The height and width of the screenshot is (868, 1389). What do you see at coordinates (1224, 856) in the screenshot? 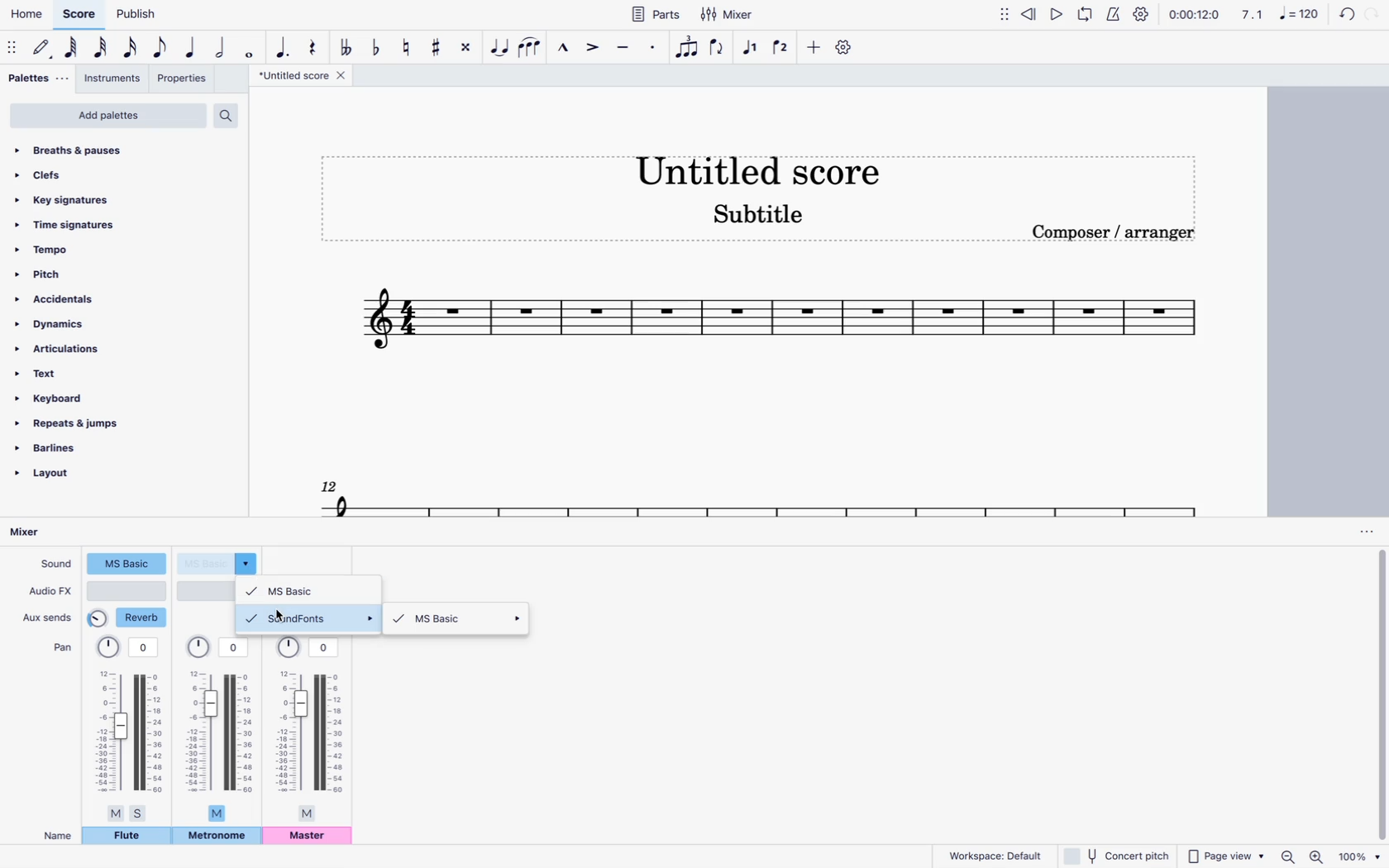
I see `page view` at bounding box center [1224, 856].